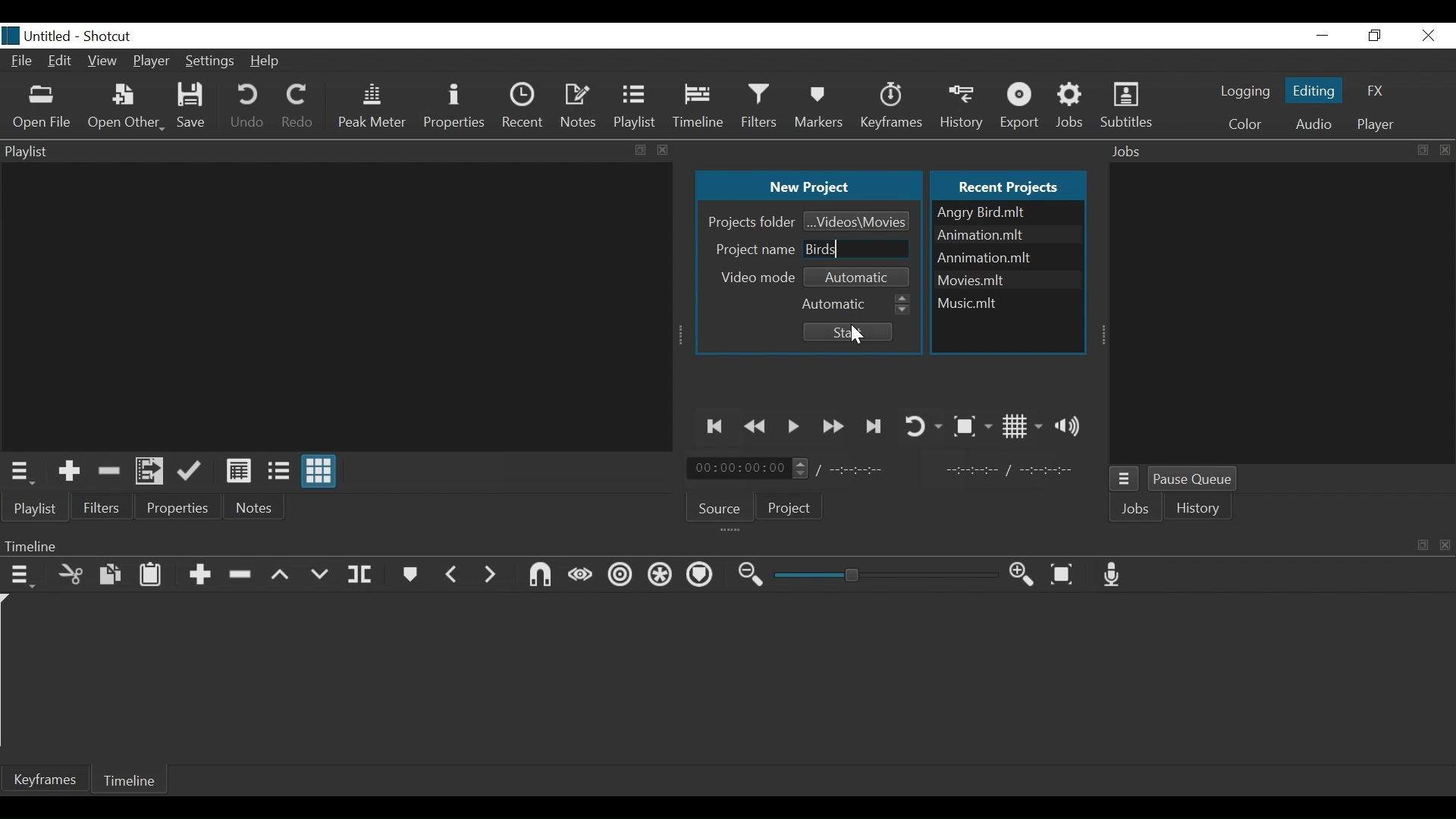 This screenshot has width=1456, height=819. I want to click on Append, so click(199, 576).